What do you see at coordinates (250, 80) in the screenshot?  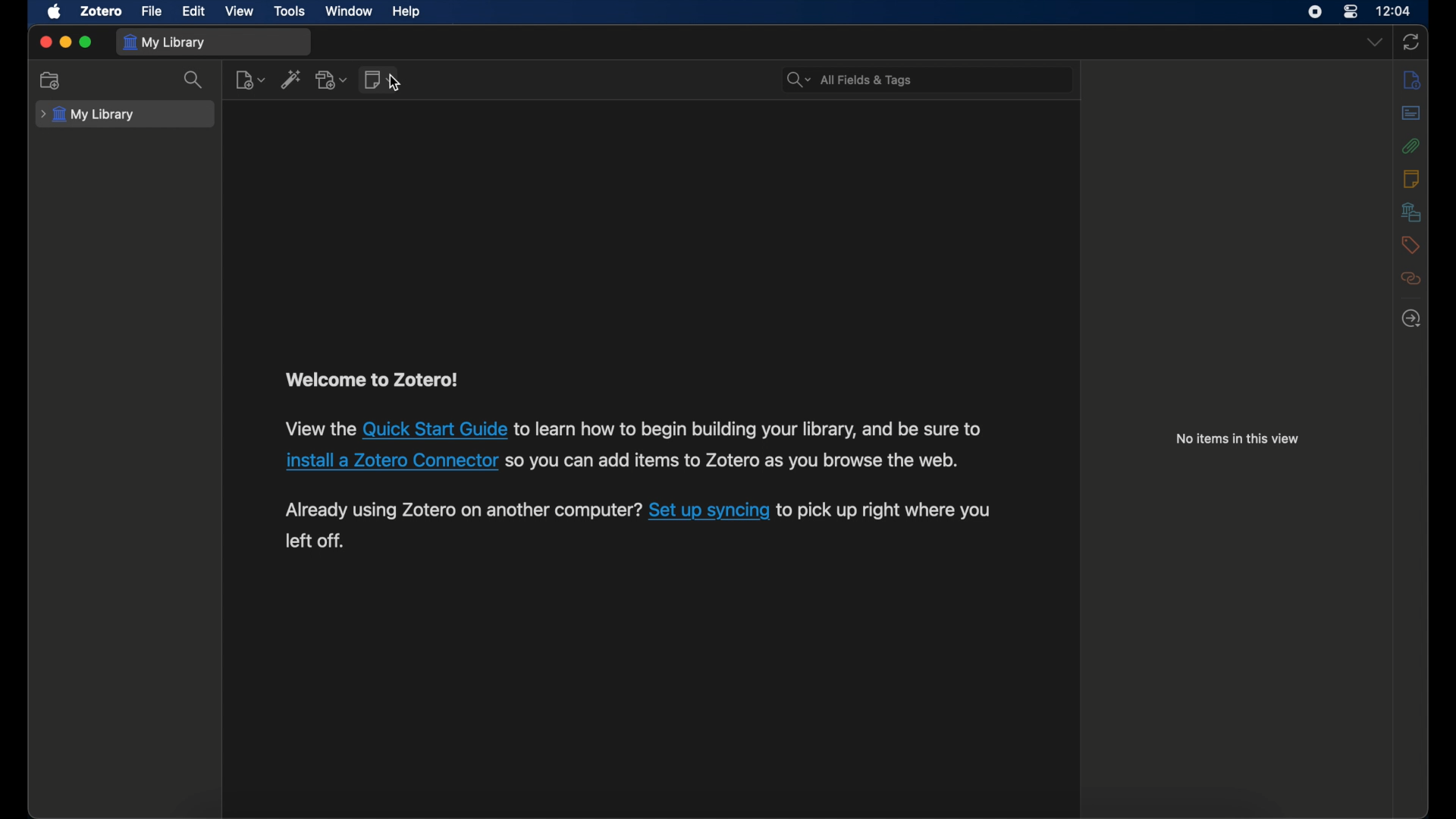 I see `new item` at bounding box center [250, 80].